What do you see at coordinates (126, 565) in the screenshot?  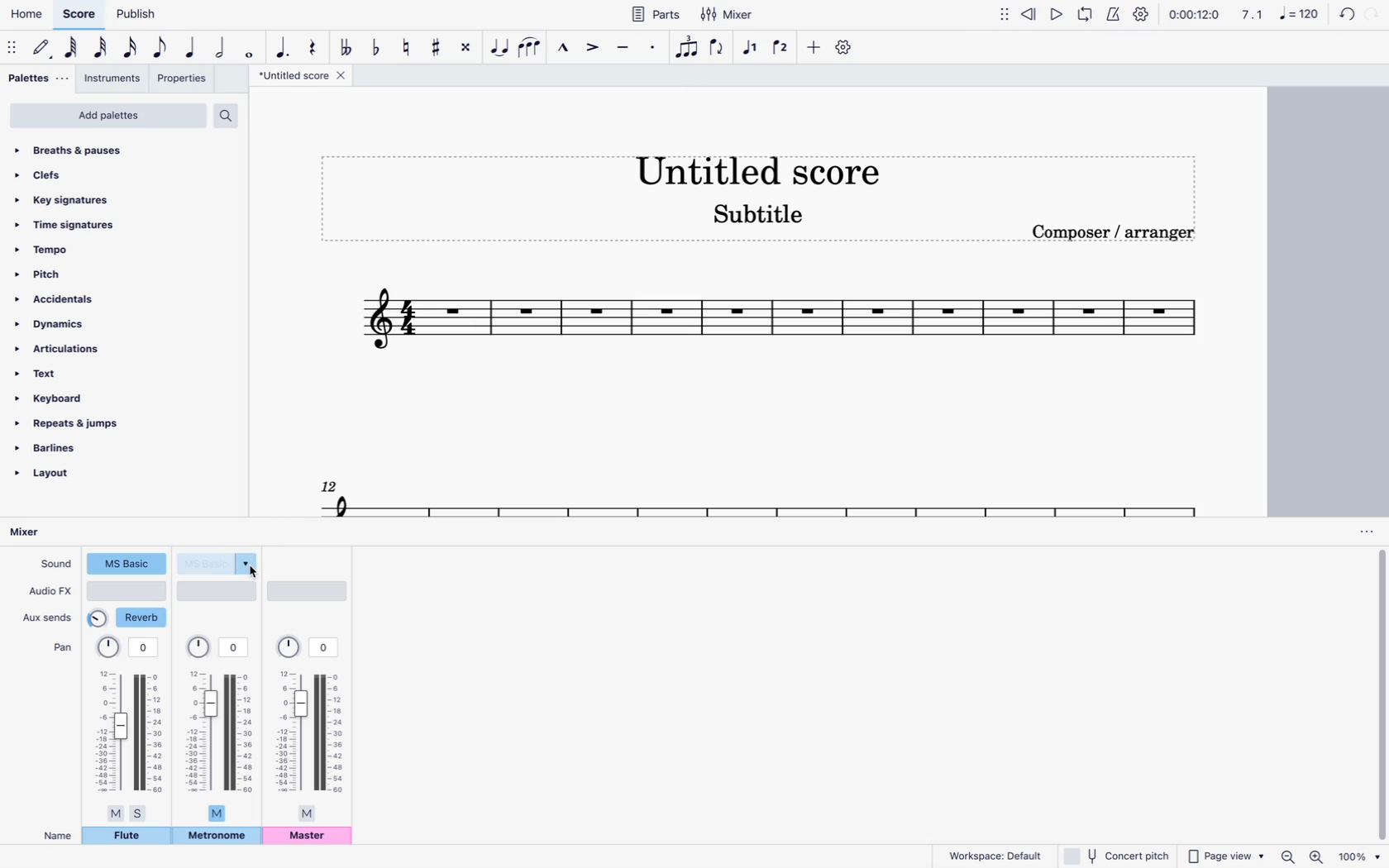 I see `sound type` at bounding box center [126, 565].